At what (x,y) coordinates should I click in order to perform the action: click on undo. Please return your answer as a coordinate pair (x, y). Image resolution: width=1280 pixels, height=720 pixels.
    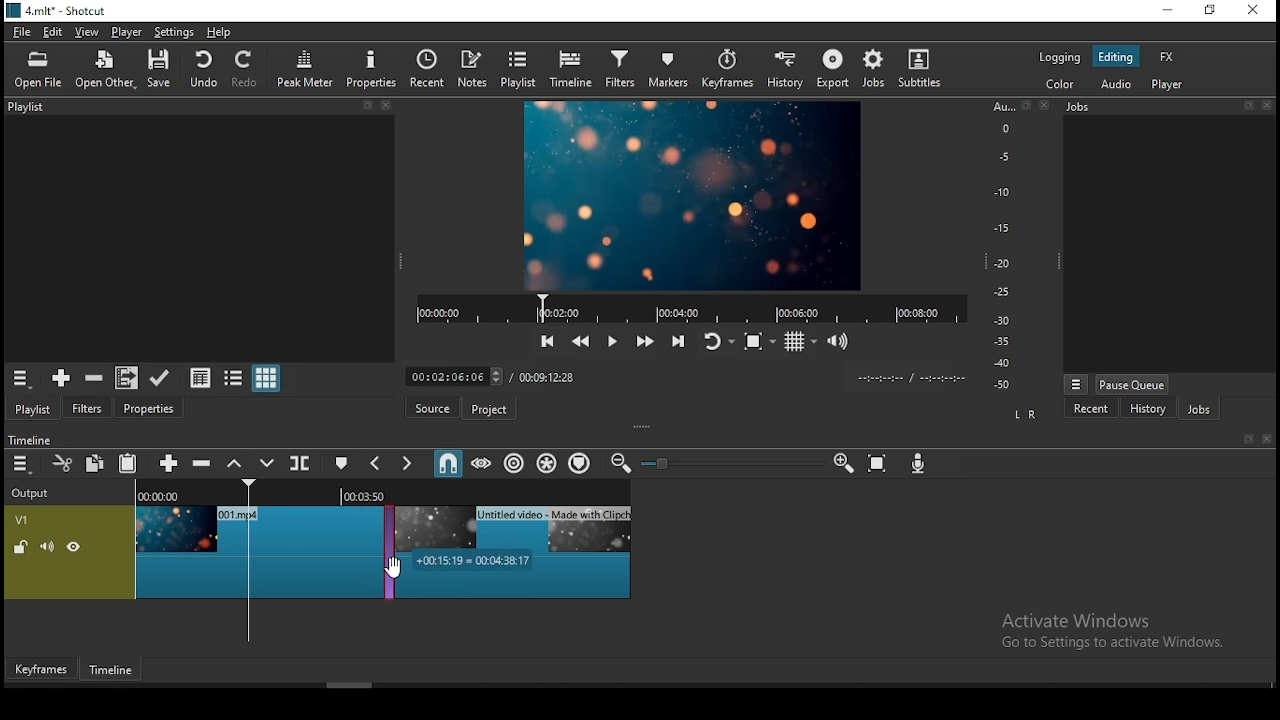
    Looking at the image, I should click on (203, 68).